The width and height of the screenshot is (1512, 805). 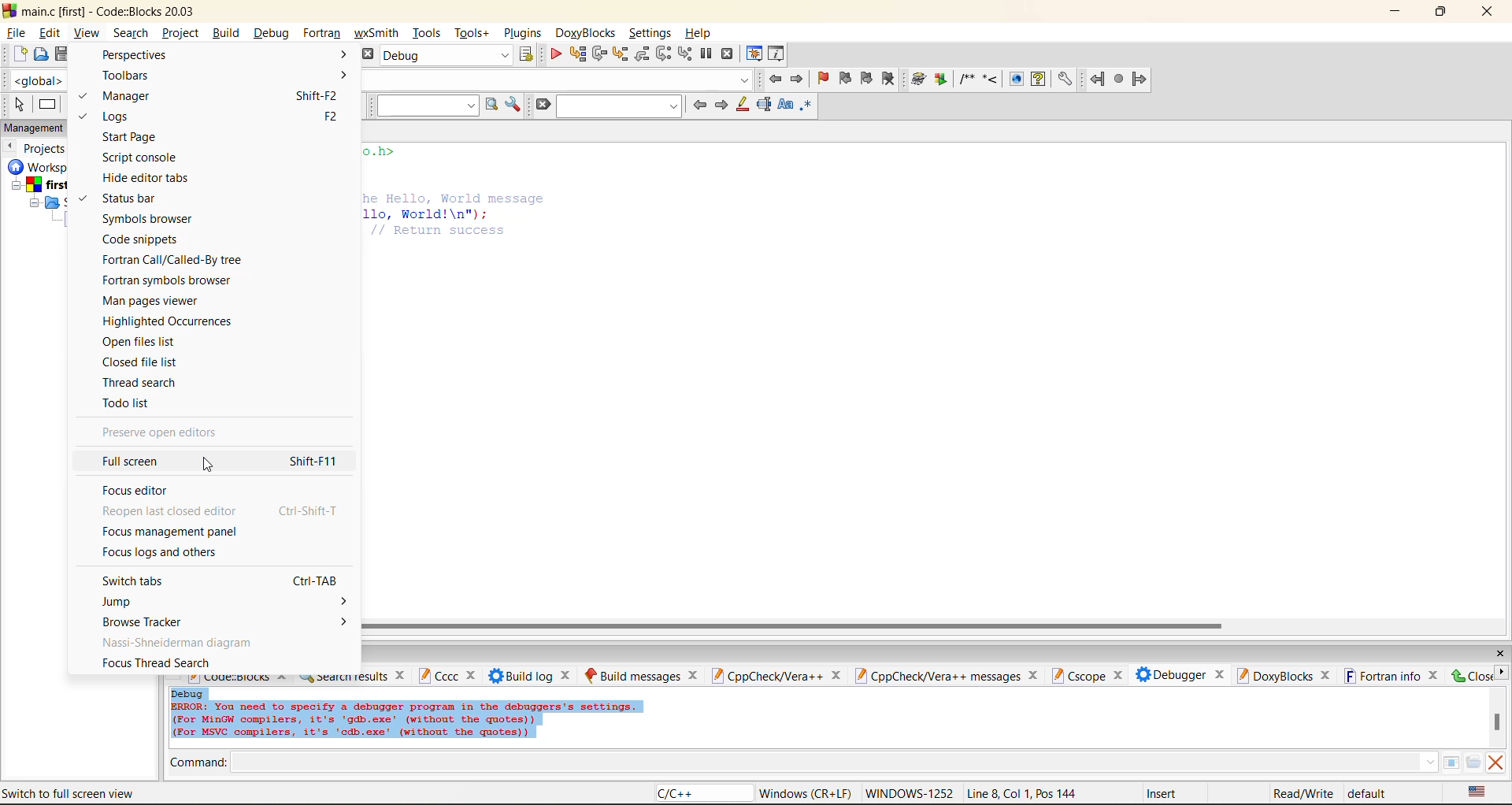 I want to click on Insert, so click(x=1165, y=793).